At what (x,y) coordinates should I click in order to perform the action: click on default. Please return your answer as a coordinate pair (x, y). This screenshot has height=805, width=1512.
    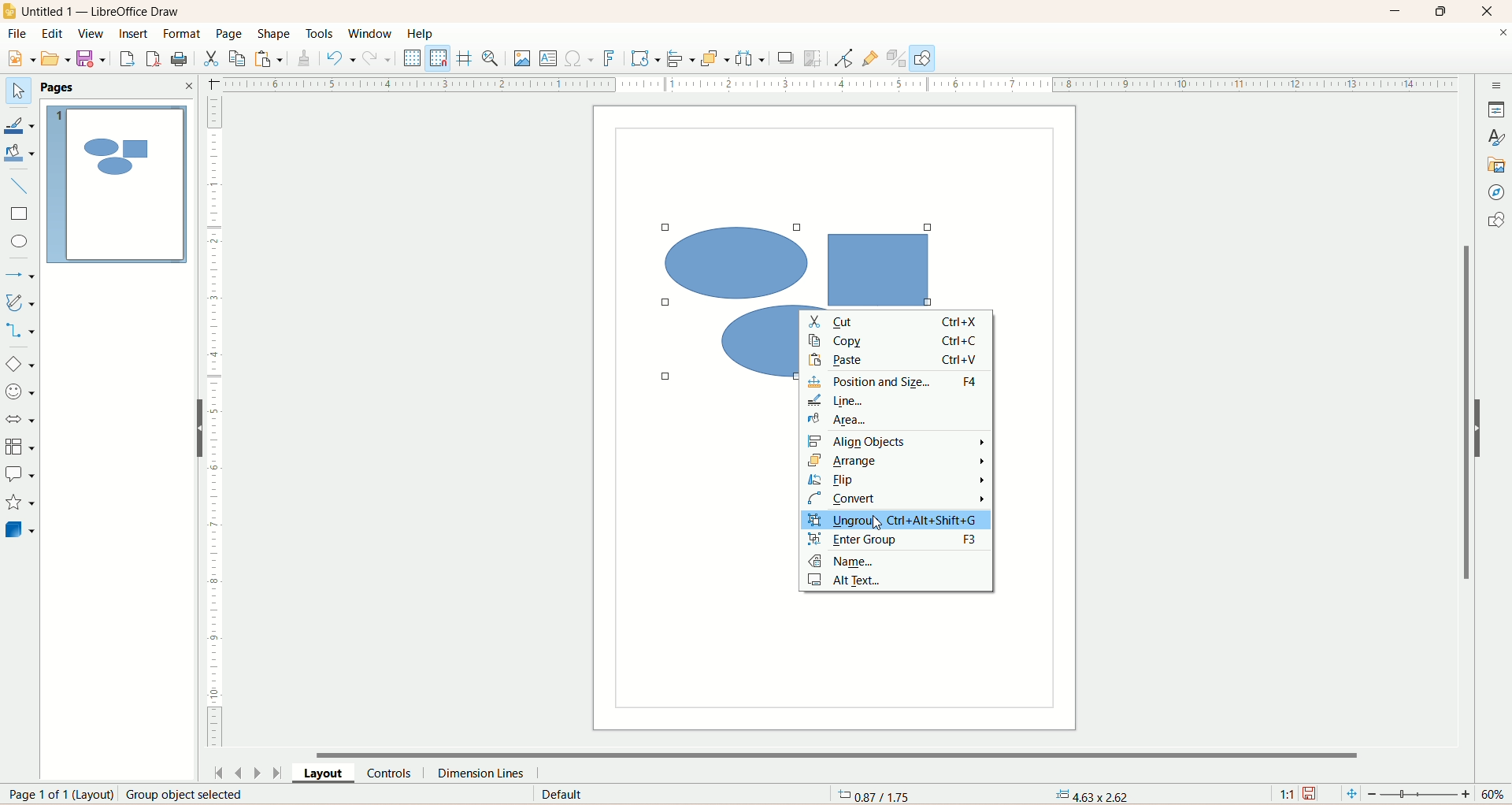
    Looking at the image, I should click on (560, 795).